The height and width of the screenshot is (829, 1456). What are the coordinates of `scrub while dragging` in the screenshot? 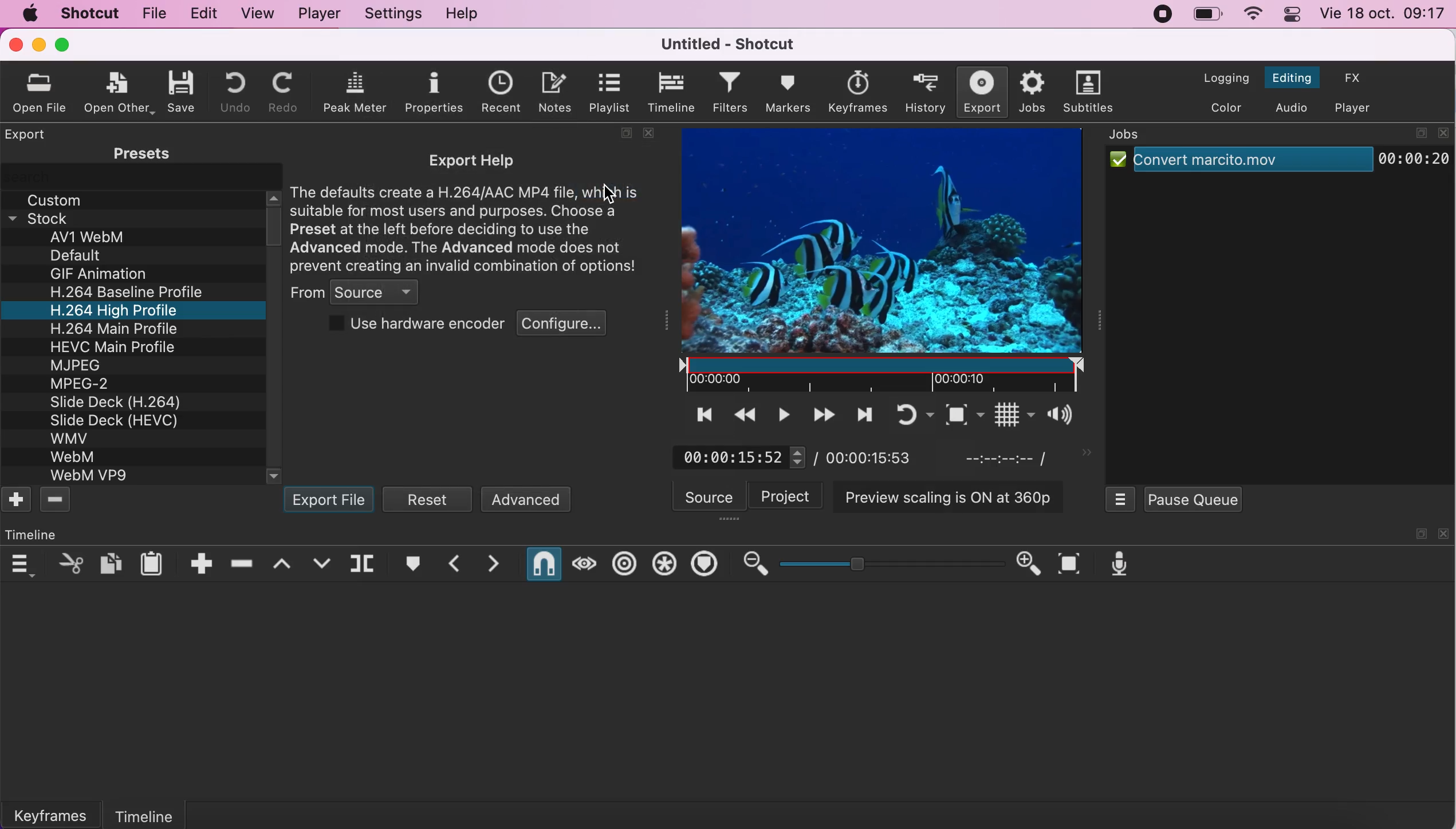 It's located at (583, 563).